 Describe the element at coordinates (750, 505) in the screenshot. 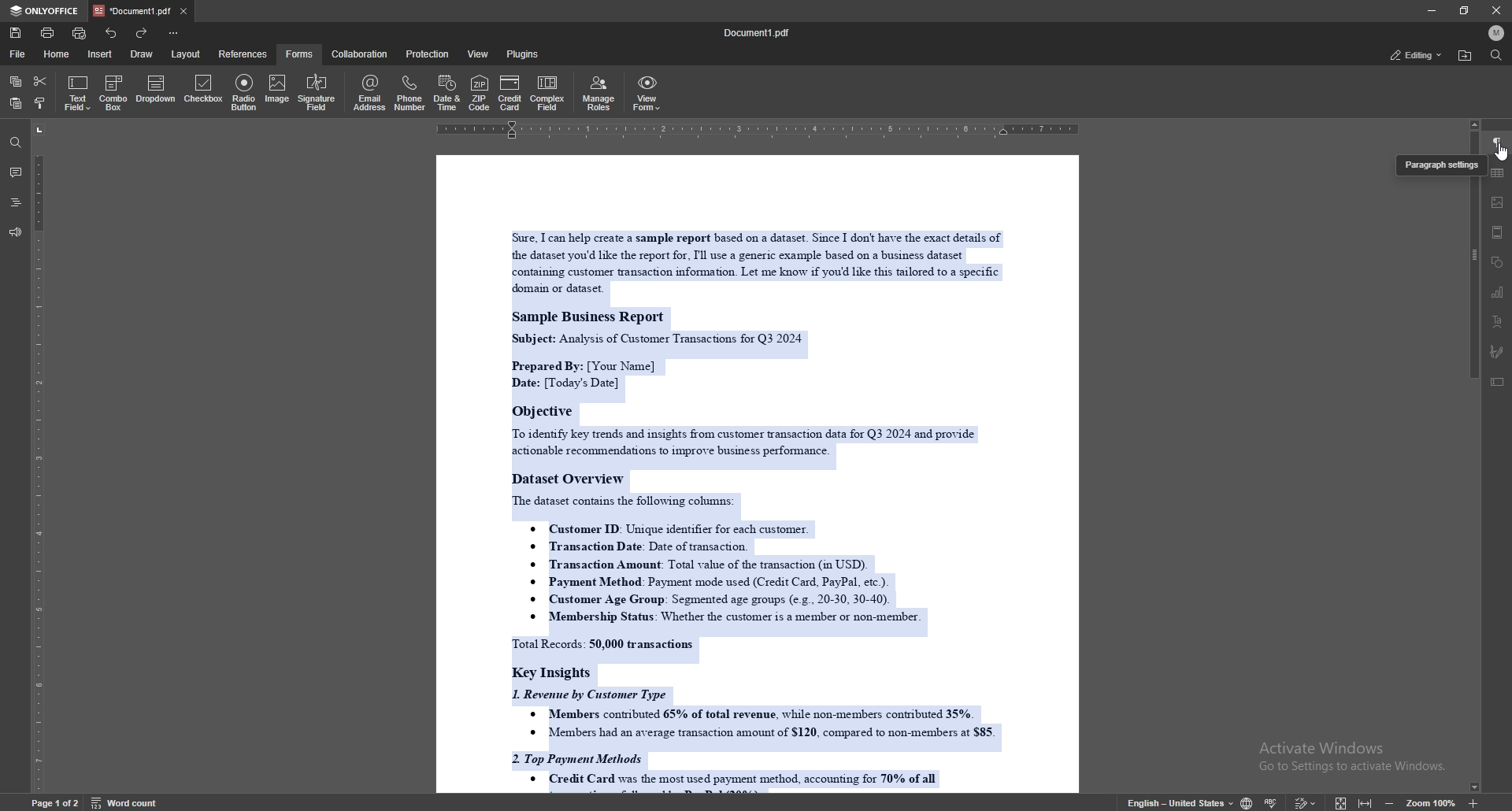

I see `text selected` at that location.